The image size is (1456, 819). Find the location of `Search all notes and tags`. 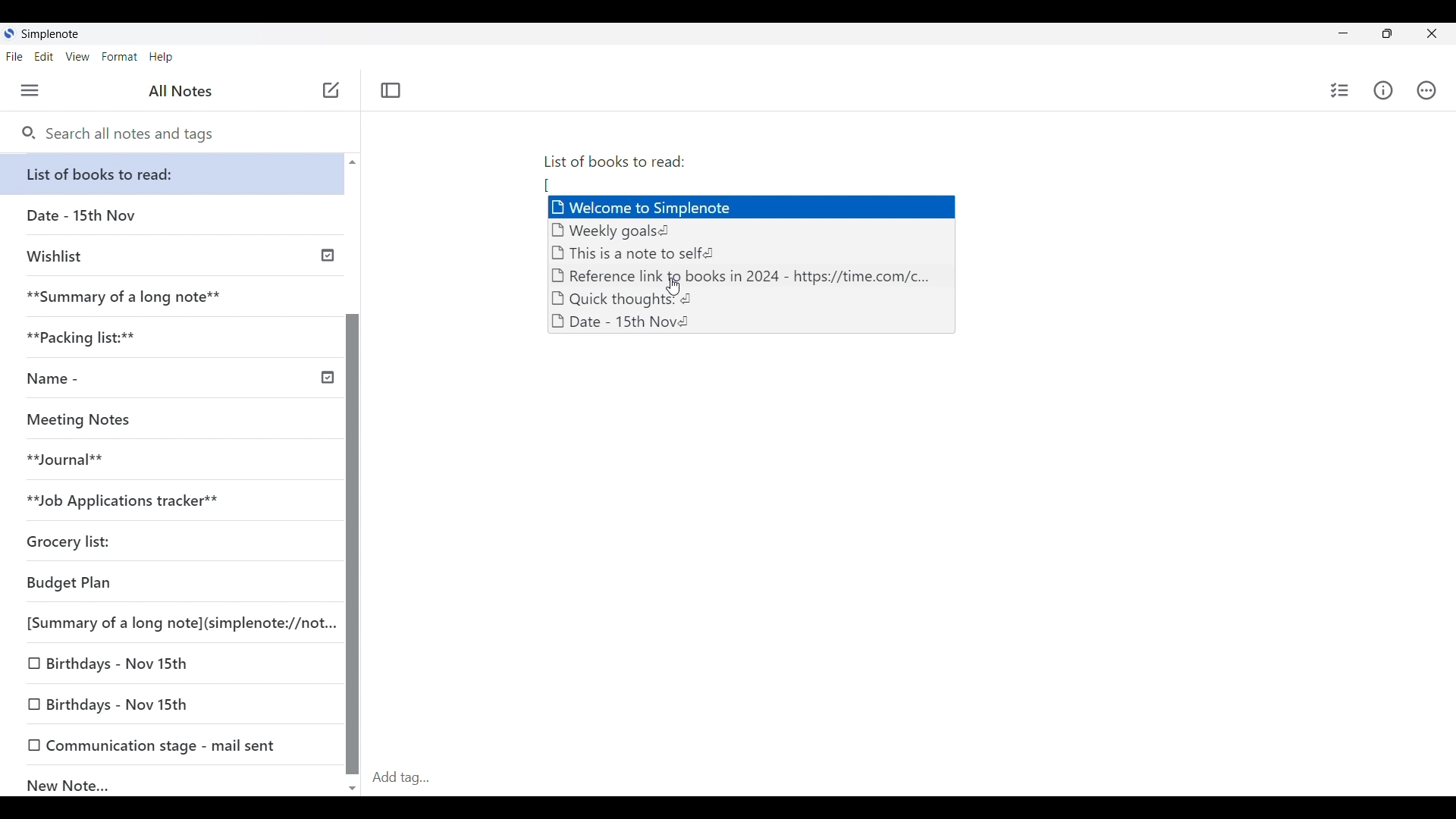

Search all notes and tags is located at coordinates (118, 134).